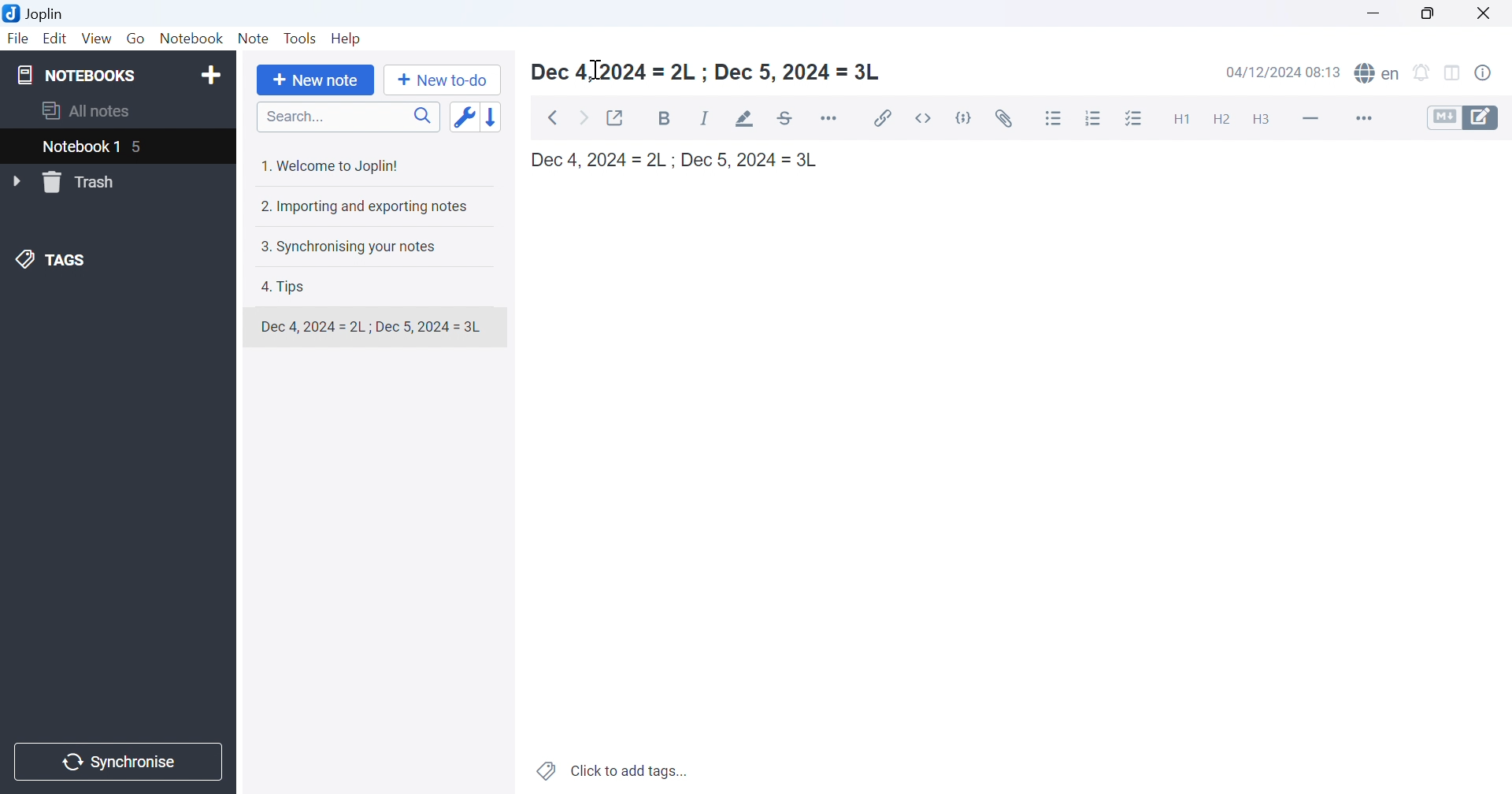 This screenshot has width=1512, height=794. I want to click on cursor, so click(596, 68).